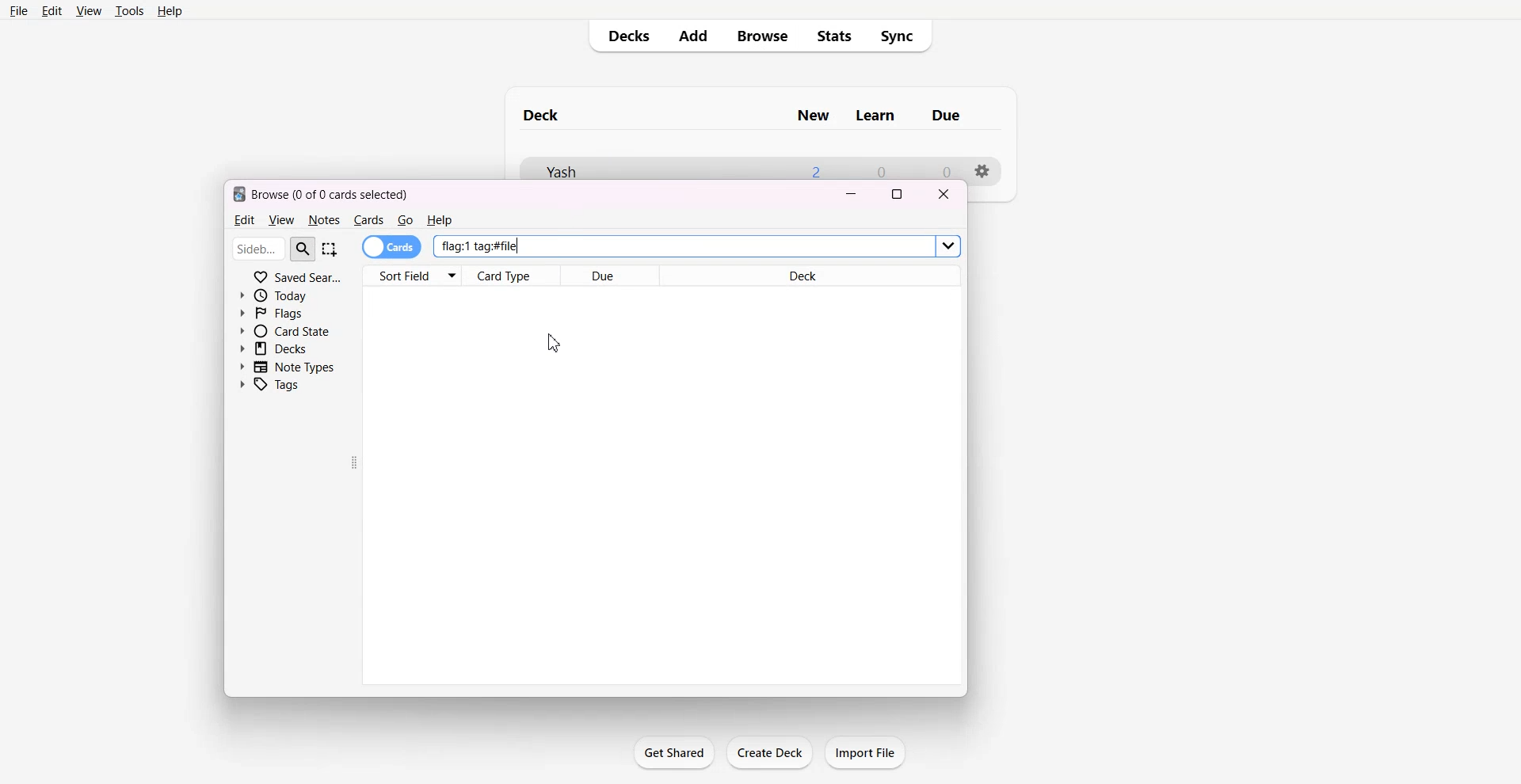 The image size is (1521, 784). What do you see at coordinates (284, 349) in the screenshot?
I see `Decks` at bounding box center [284, 349].